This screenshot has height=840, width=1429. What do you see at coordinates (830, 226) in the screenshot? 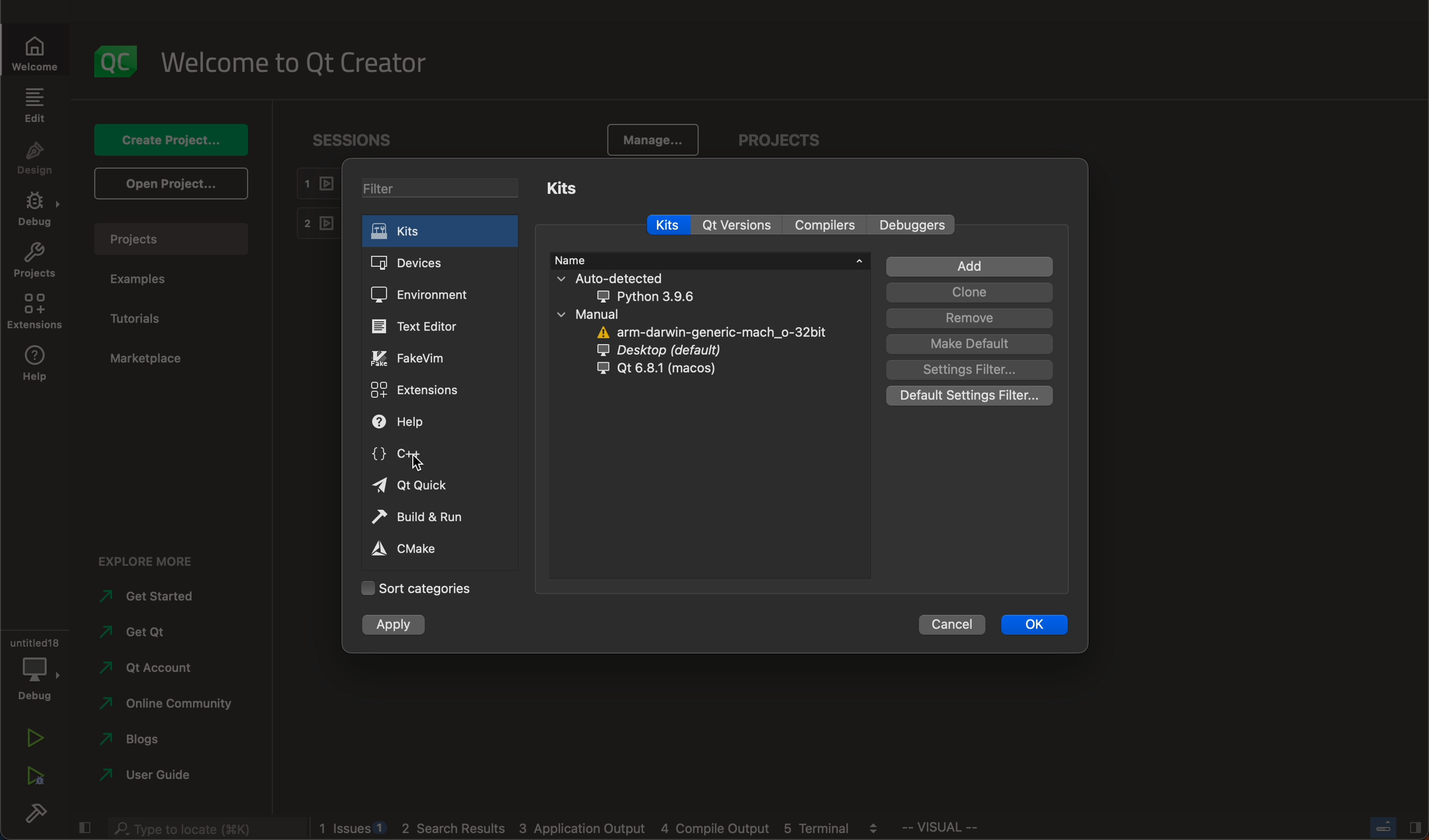
I see `compilers` at bounding box center [830, 226].